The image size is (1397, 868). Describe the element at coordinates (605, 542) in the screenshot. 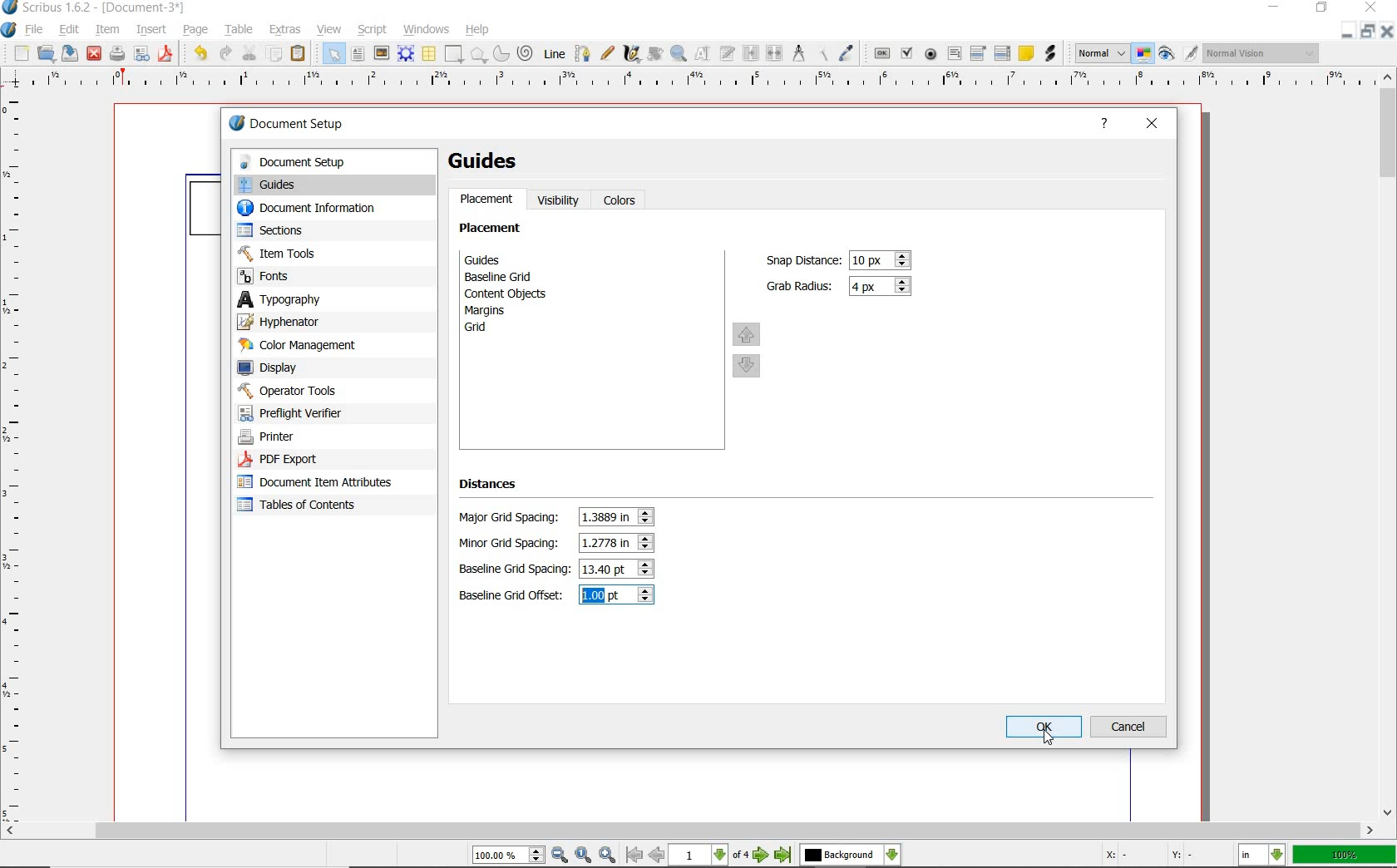

I see `minor grid spacing` at that location.